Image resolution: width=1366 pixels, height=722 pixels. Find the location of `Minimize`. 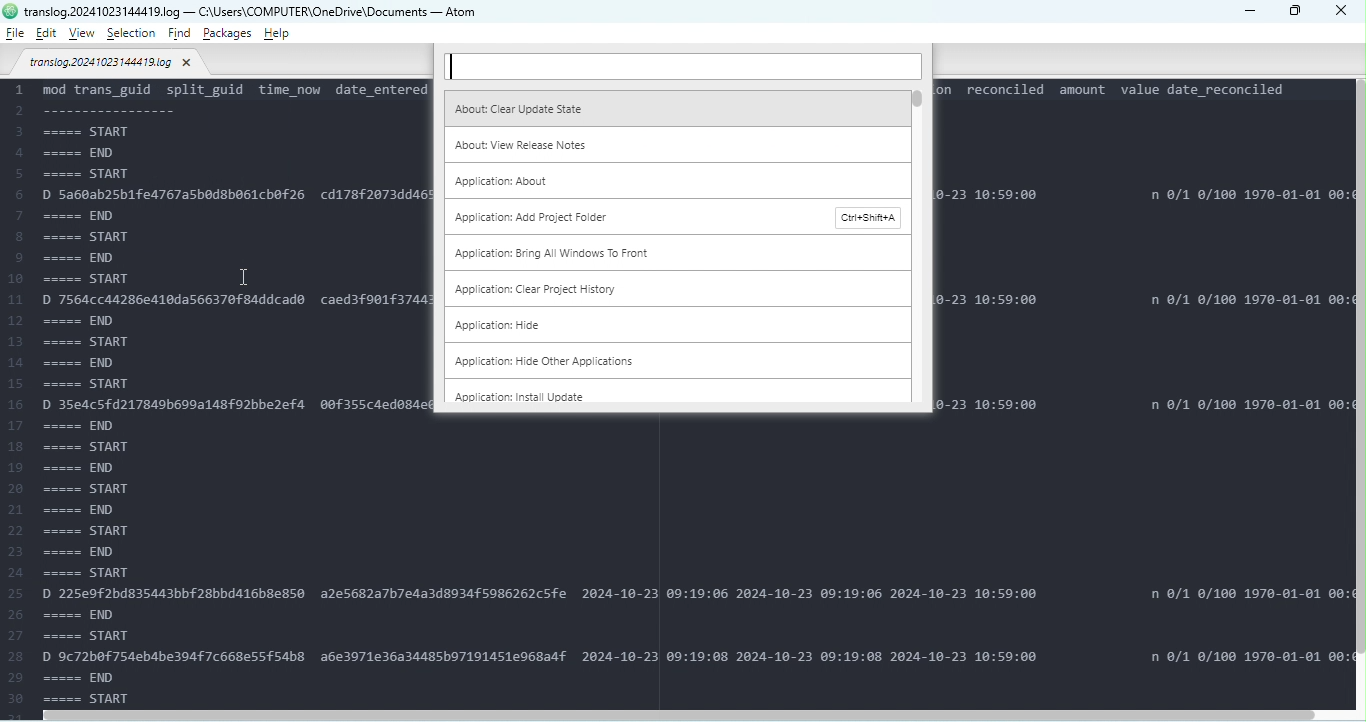

Minimize is located at coordinates (1248, 10).